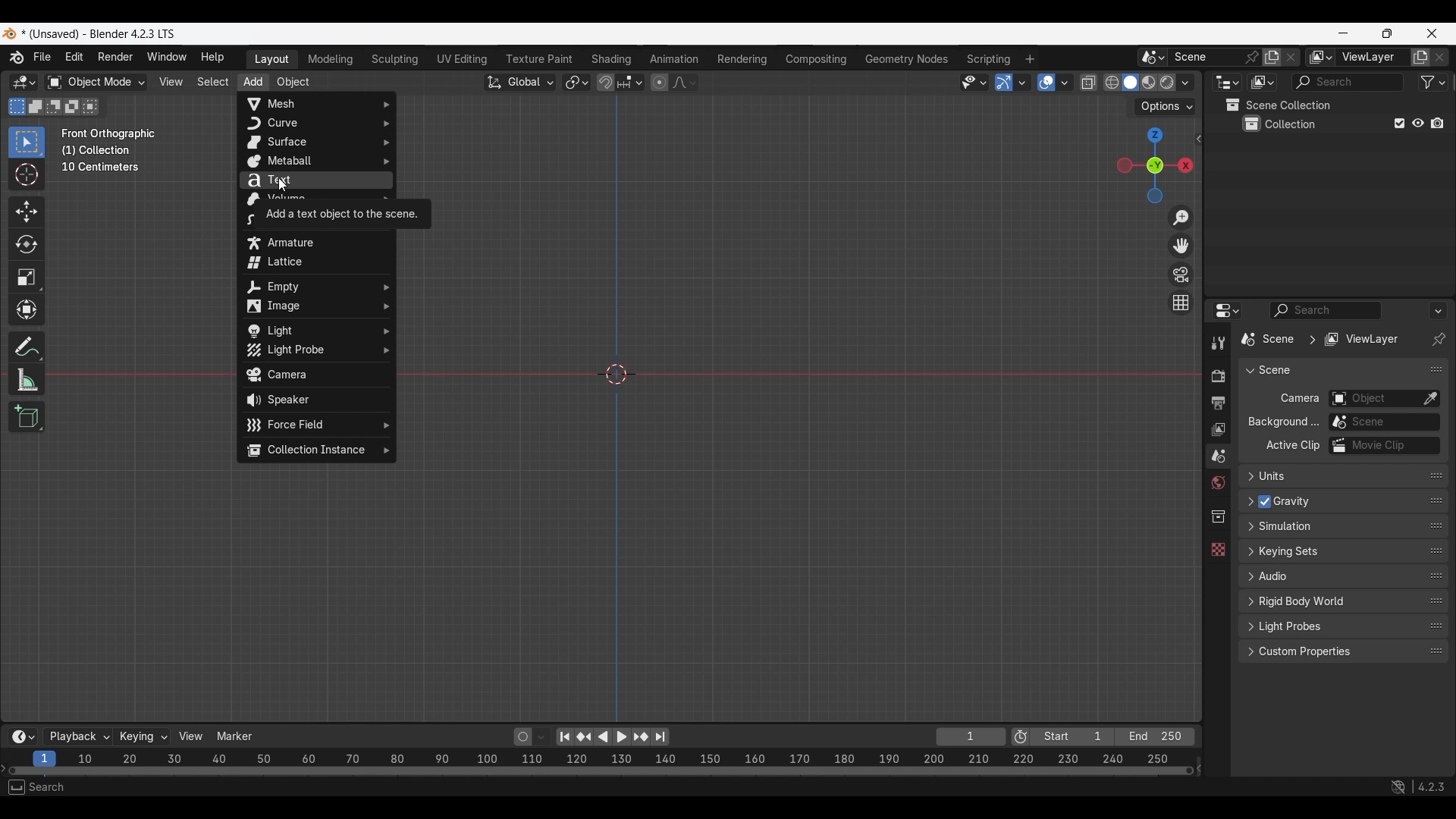  I want to click on Display filter, so click(1326, 310).